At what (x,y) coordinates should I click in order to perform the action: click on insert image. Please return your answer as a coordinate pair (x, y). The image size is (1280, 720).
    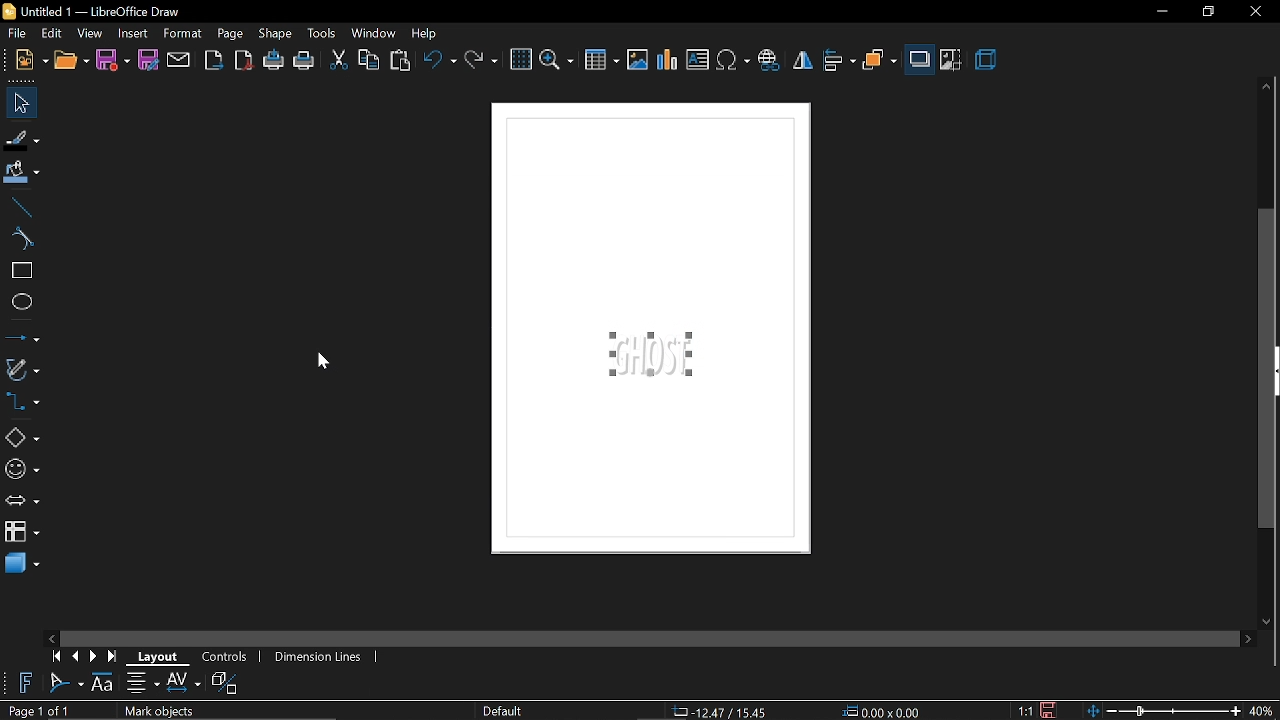
    Looking at the image, I should click on (638, 60).